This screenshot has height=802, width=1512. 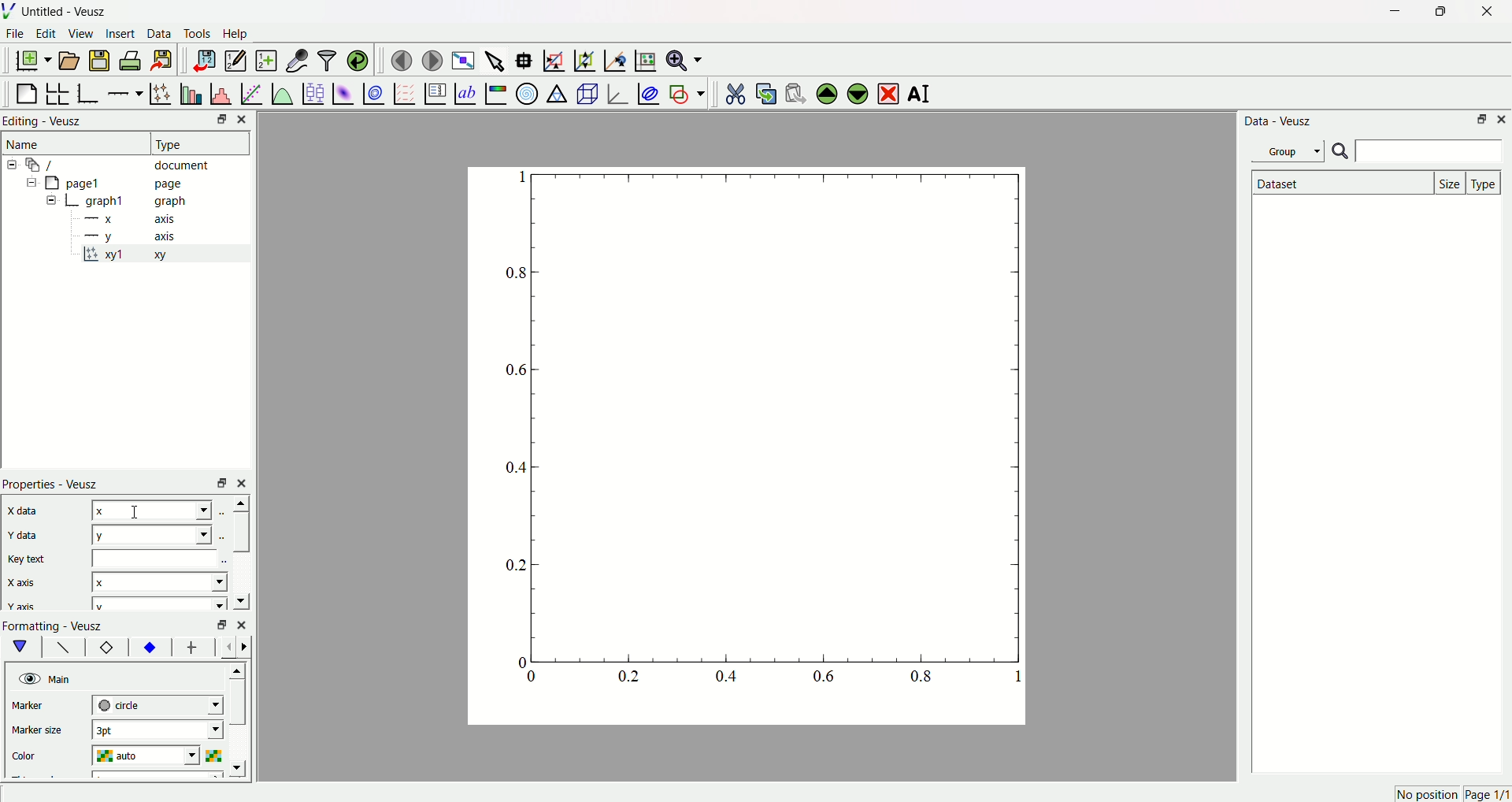 I want to click on move down, so click(x=240, y=600).